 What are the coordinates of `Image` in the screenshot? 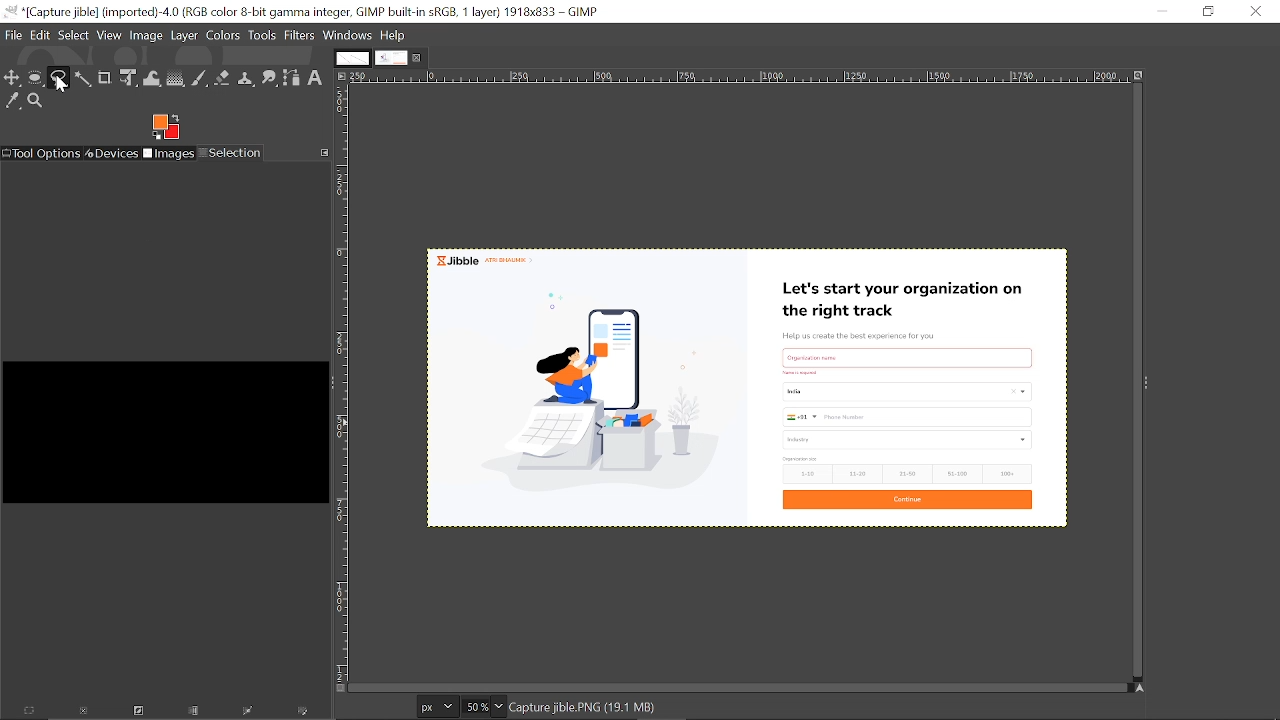 It's located at (147, 34).